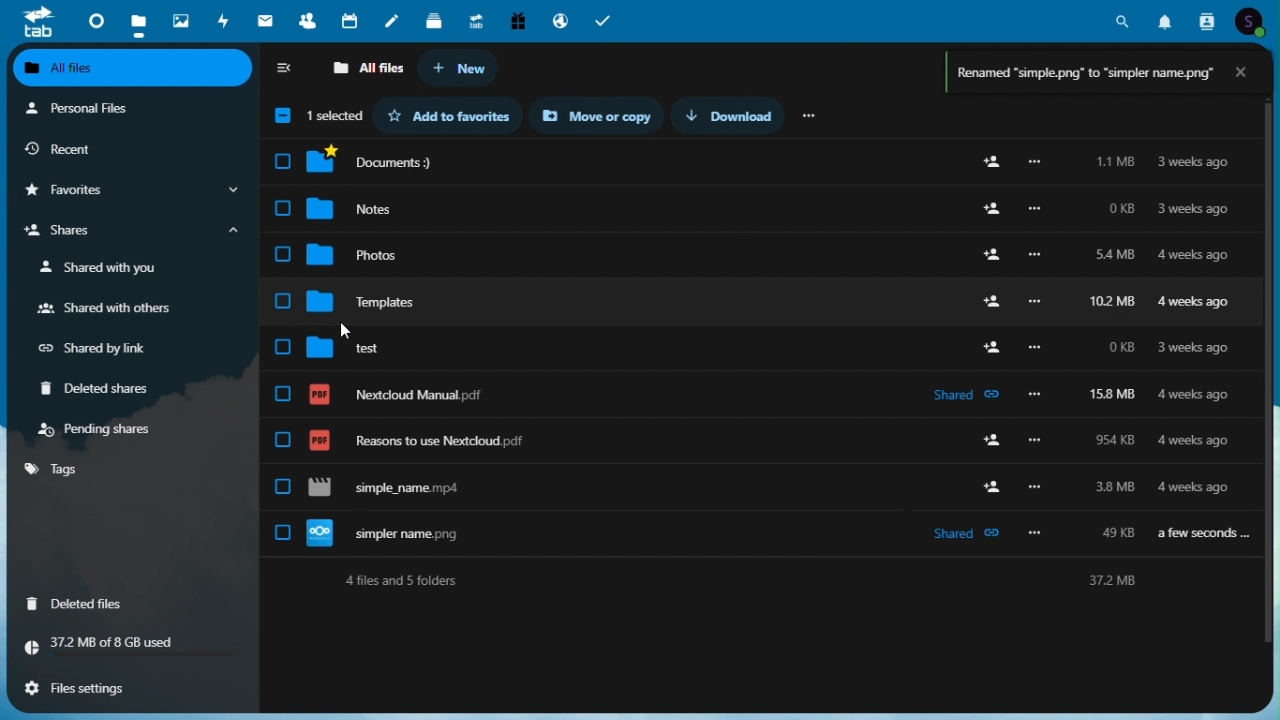 The image size is (1280, 720). Describe the element at coordinates (103, 310) in the screenshot. I see `shared with others` at that location.